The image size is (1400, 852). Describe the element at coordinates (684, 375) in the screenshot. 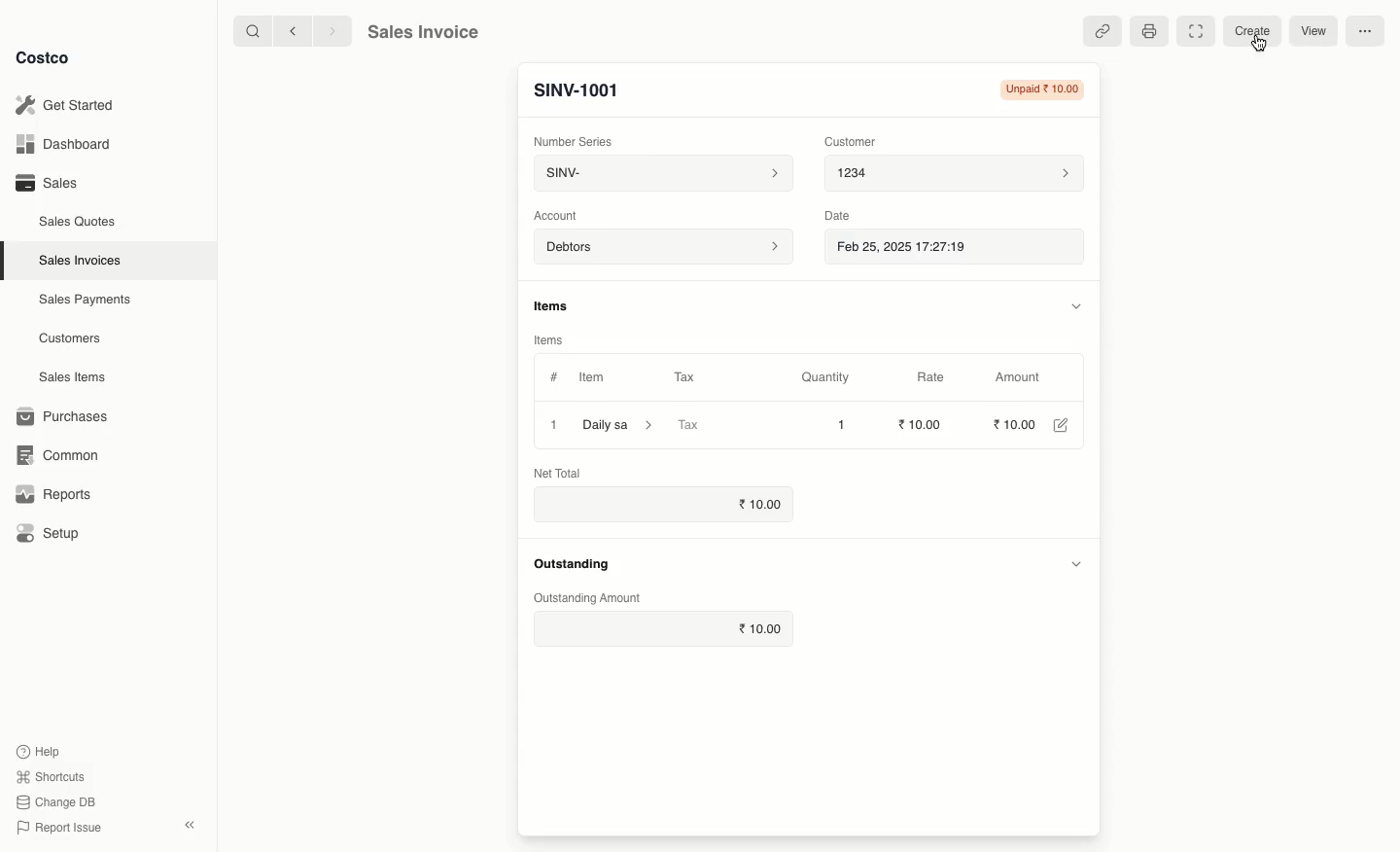

I see `Tax` at that location.